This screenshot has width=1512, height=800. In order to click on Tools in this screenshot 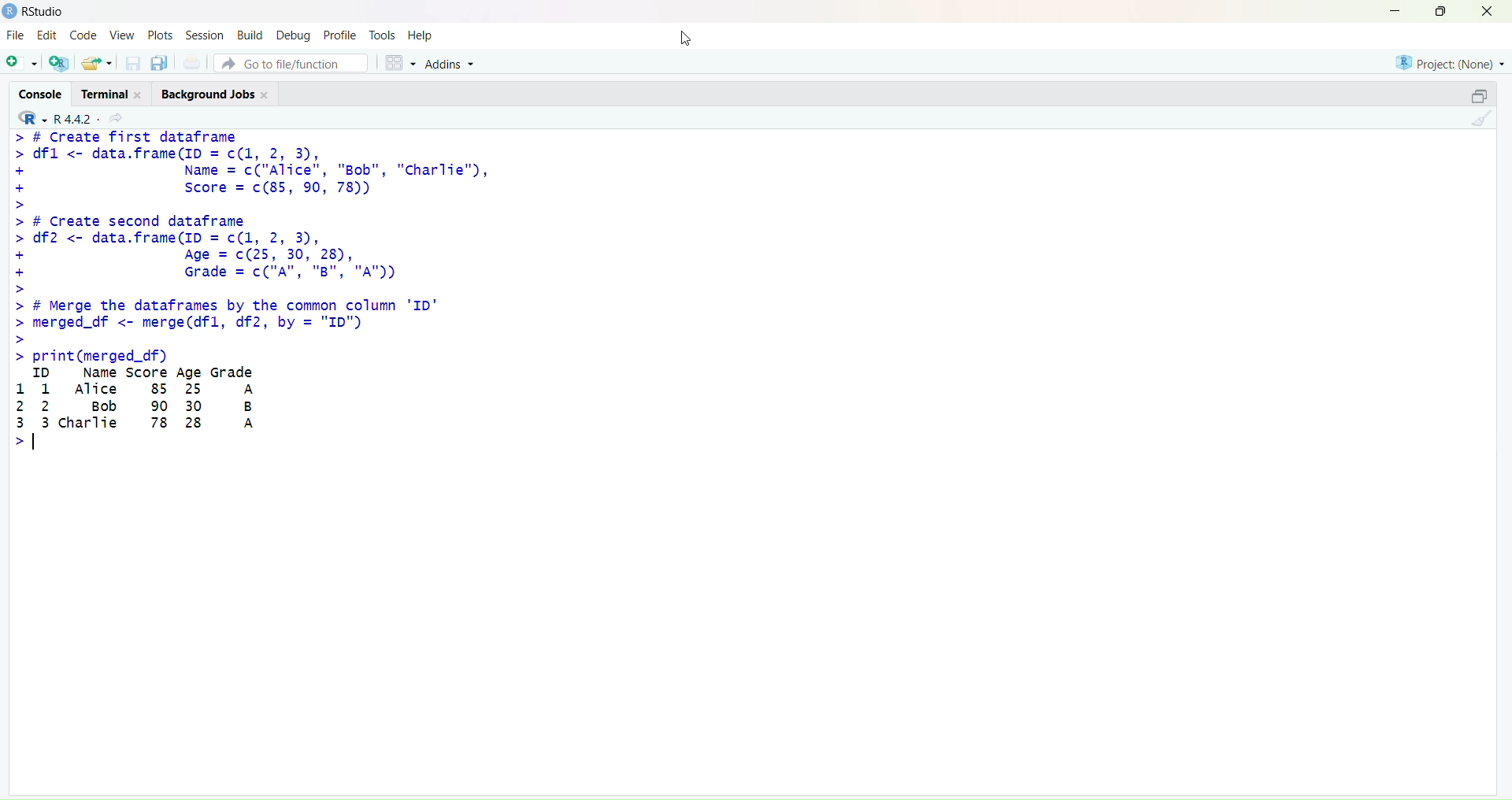, I will do `click(381, 35)`.